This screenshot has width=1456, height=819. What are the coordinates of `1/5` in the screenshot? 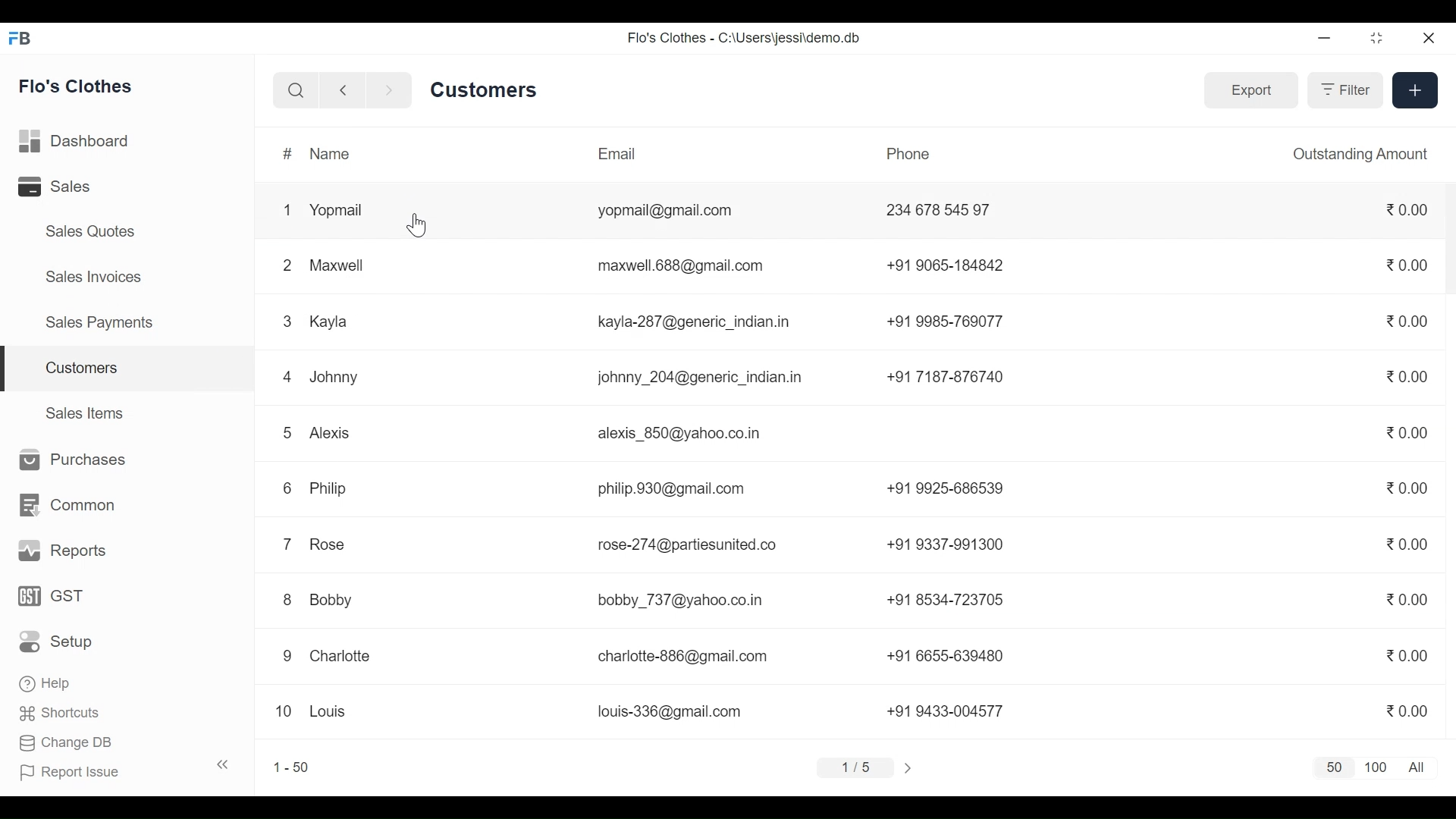 It's located at (852, 767).